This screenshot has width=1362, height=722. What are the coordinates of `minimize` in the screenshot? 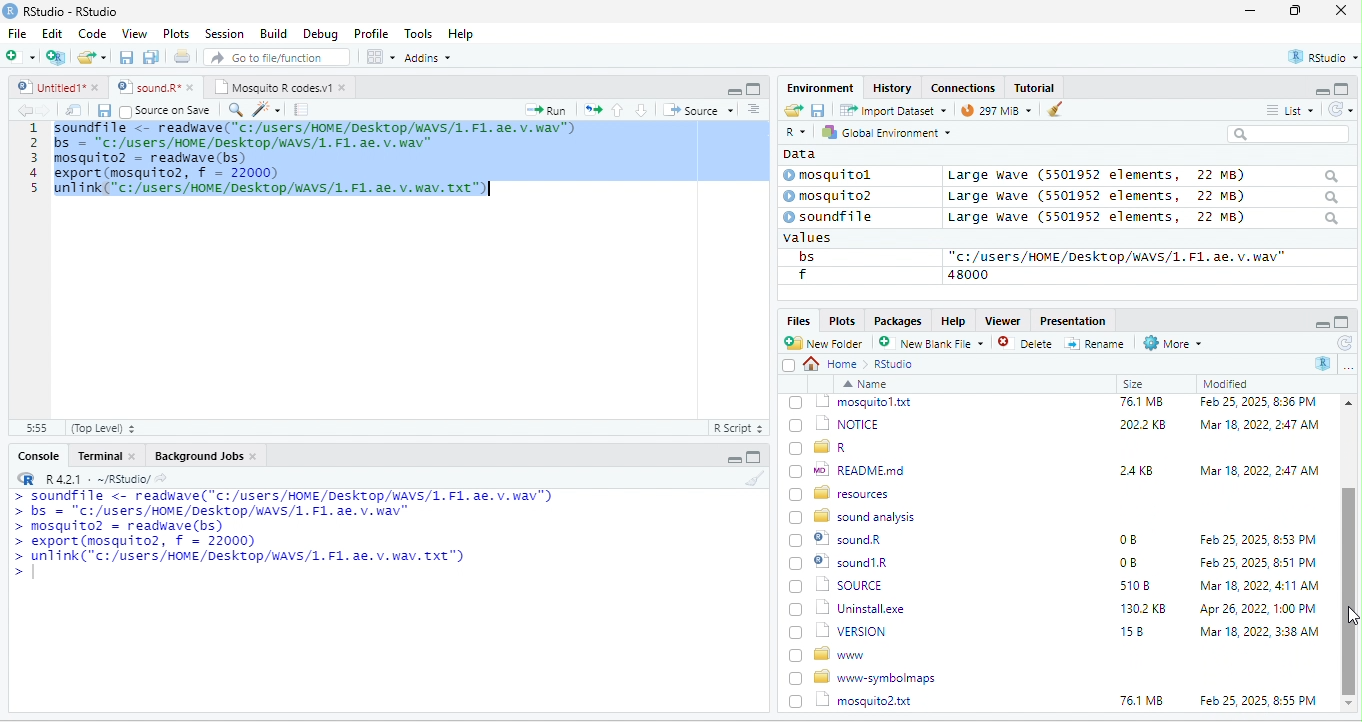 It's located at (1314, 90).